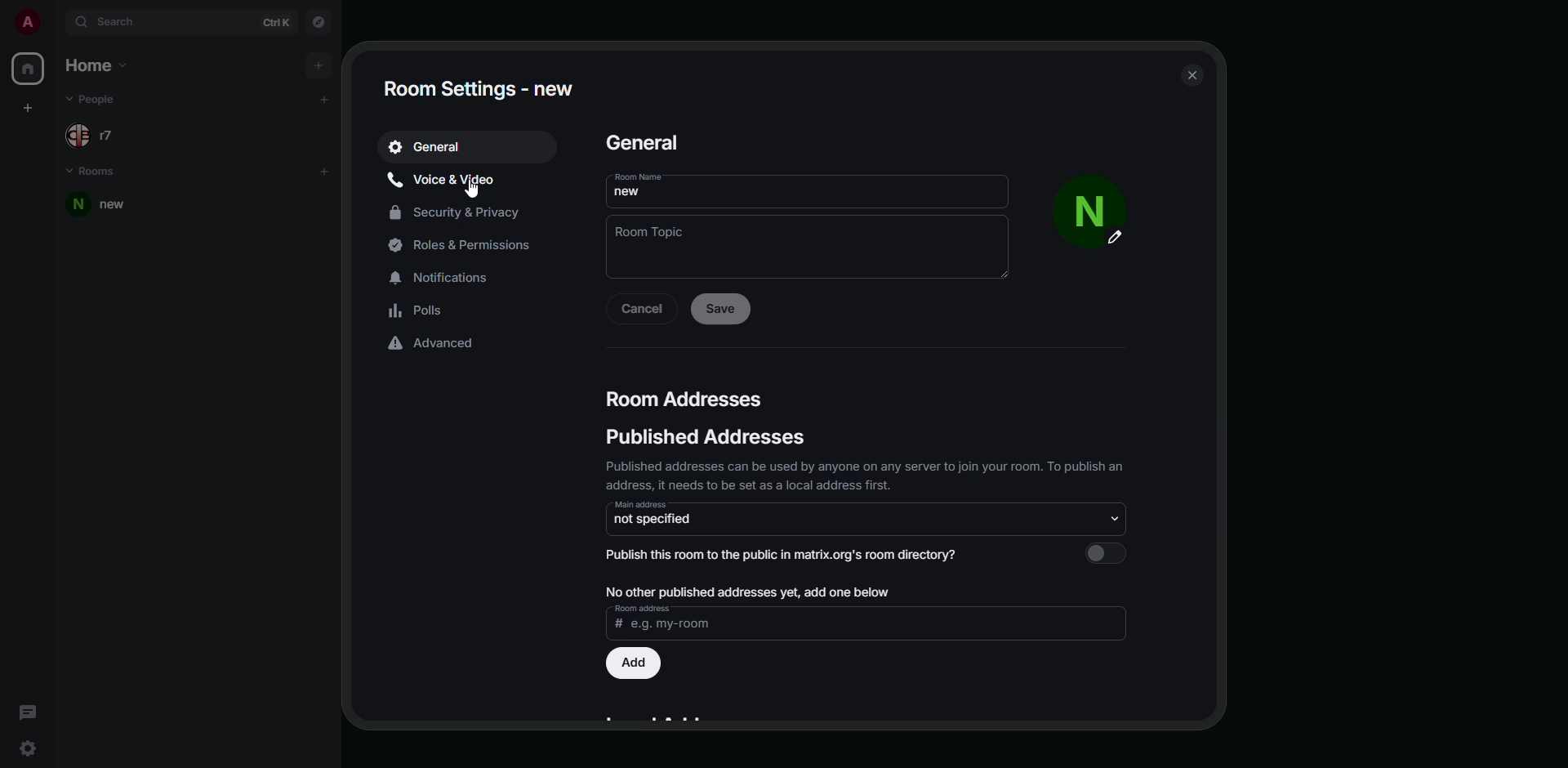 This screenshot has width=1568, height=768. What do you see at coordinates (328, 171) in the screenshot?
I see `add` at bounding box center [328, 171].